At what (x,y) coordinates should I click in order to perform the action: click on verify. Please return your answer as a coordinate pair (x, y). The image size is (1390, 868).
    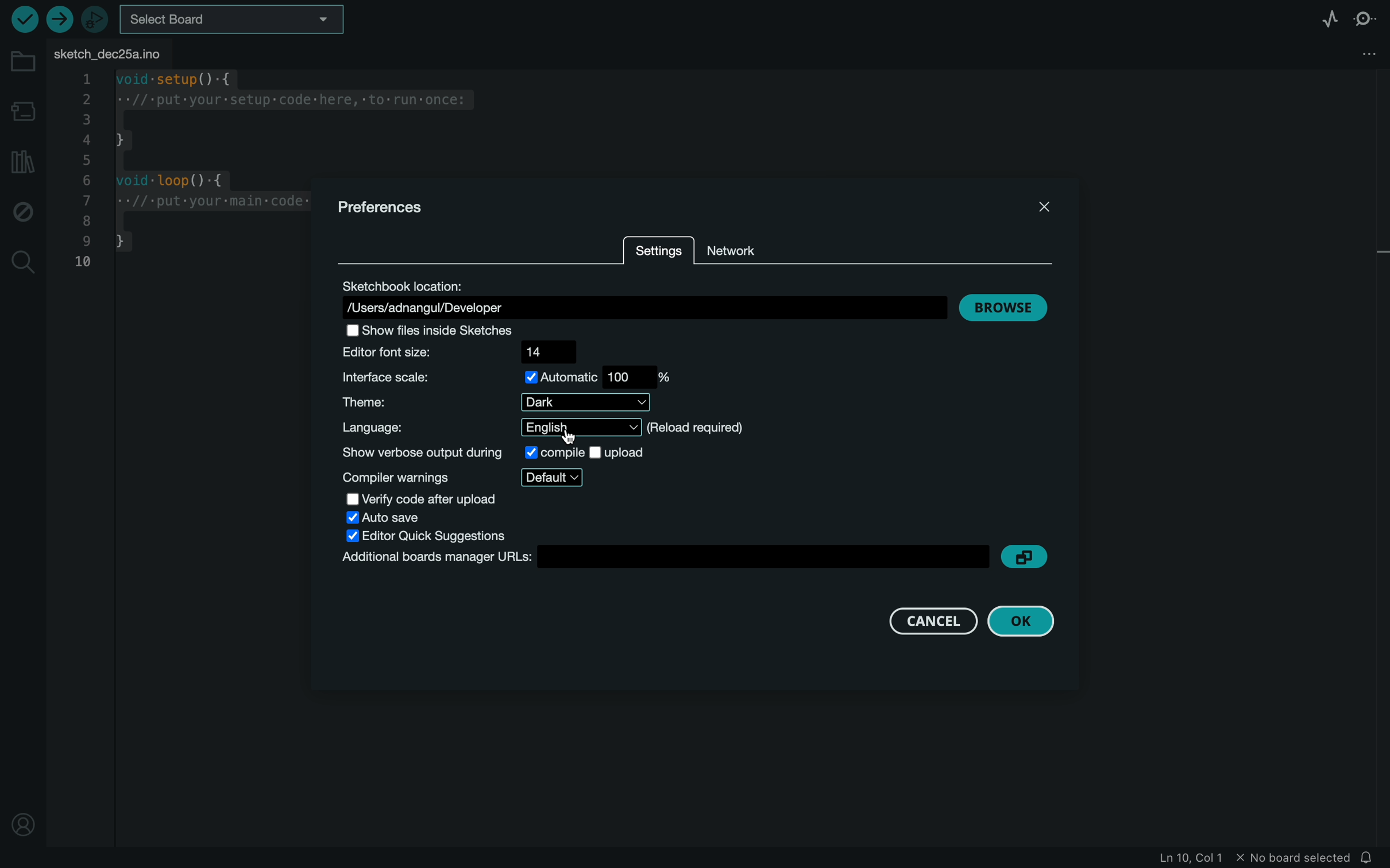
    Looking at the image, I should click on (25, 19).